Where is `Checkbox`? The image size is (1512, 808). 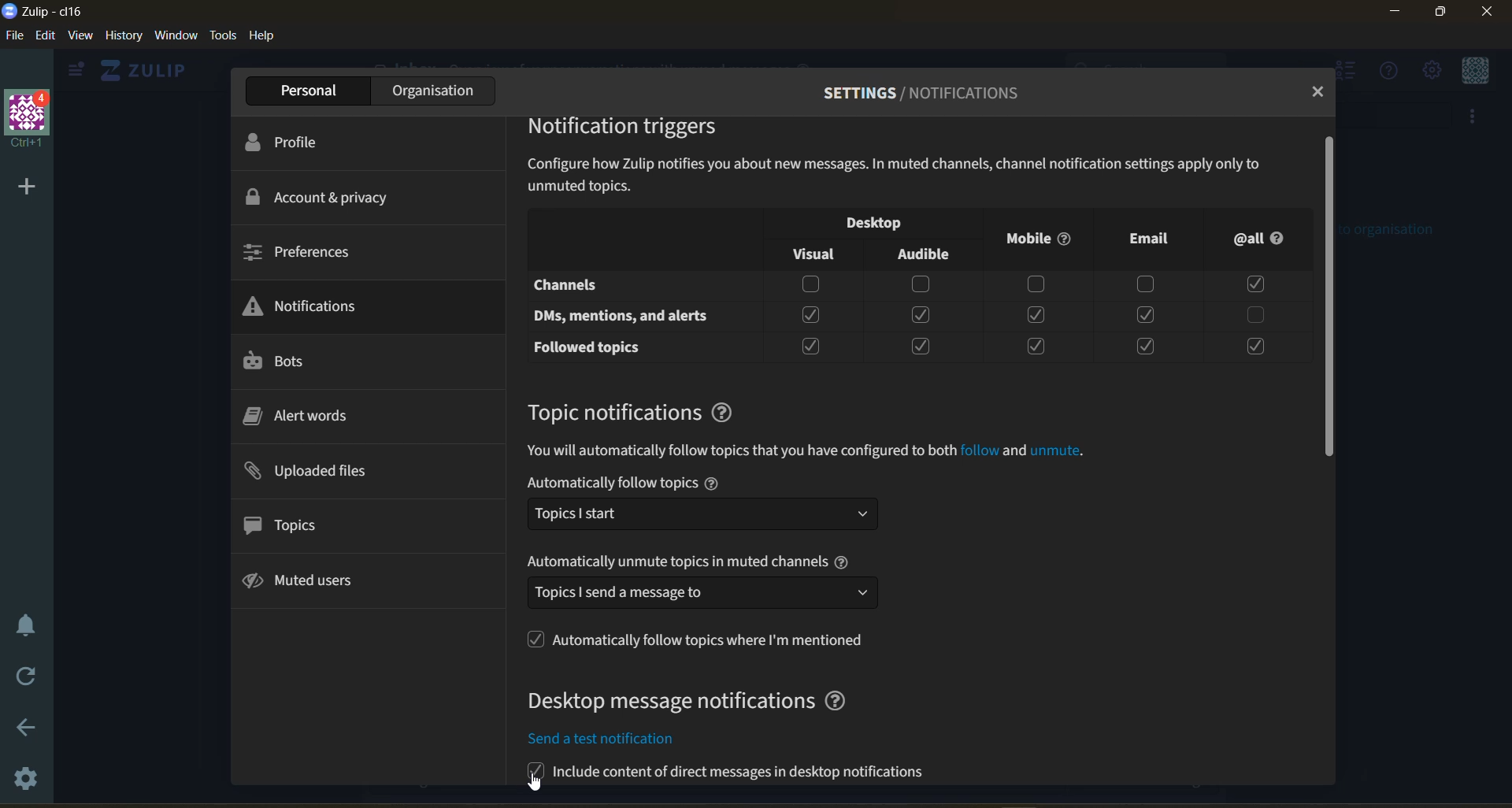
Checkbox is located at coordinates (1255, 313).